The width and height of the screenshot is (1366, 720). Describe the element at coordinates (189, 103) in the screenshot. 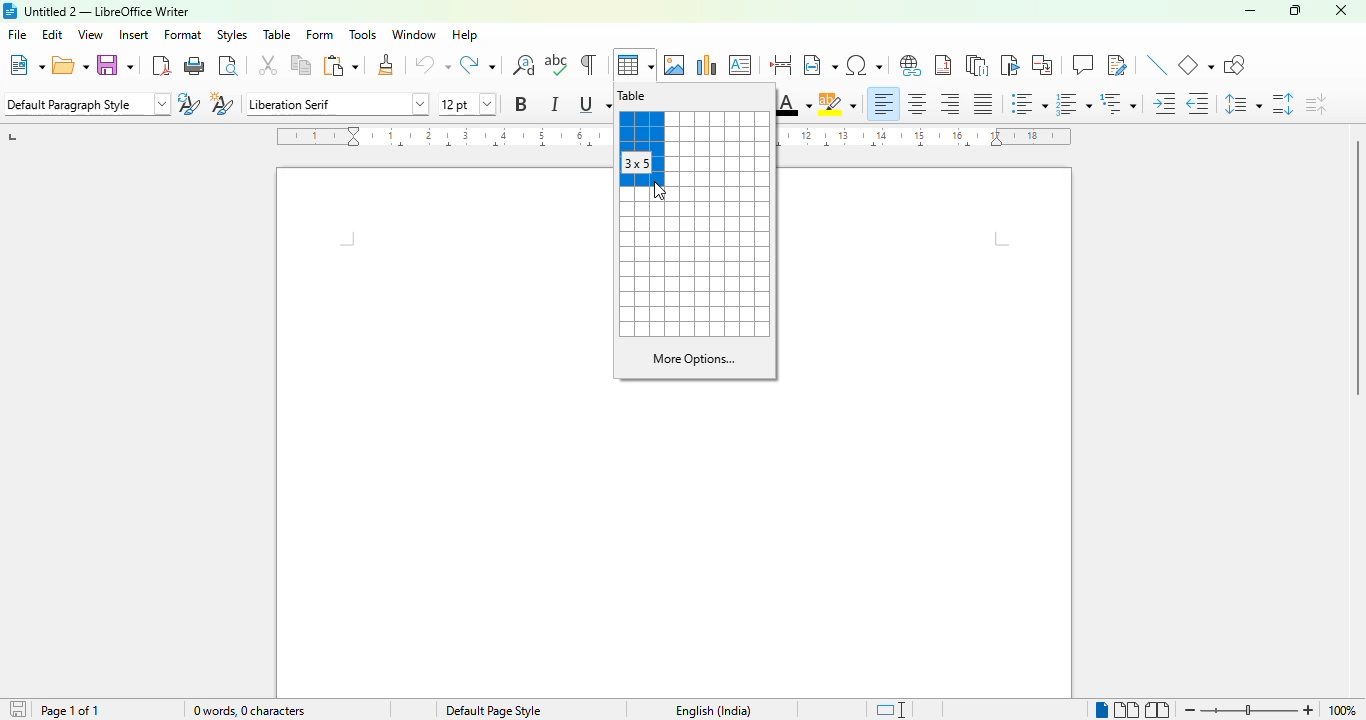

I see `update selected style` at that location.